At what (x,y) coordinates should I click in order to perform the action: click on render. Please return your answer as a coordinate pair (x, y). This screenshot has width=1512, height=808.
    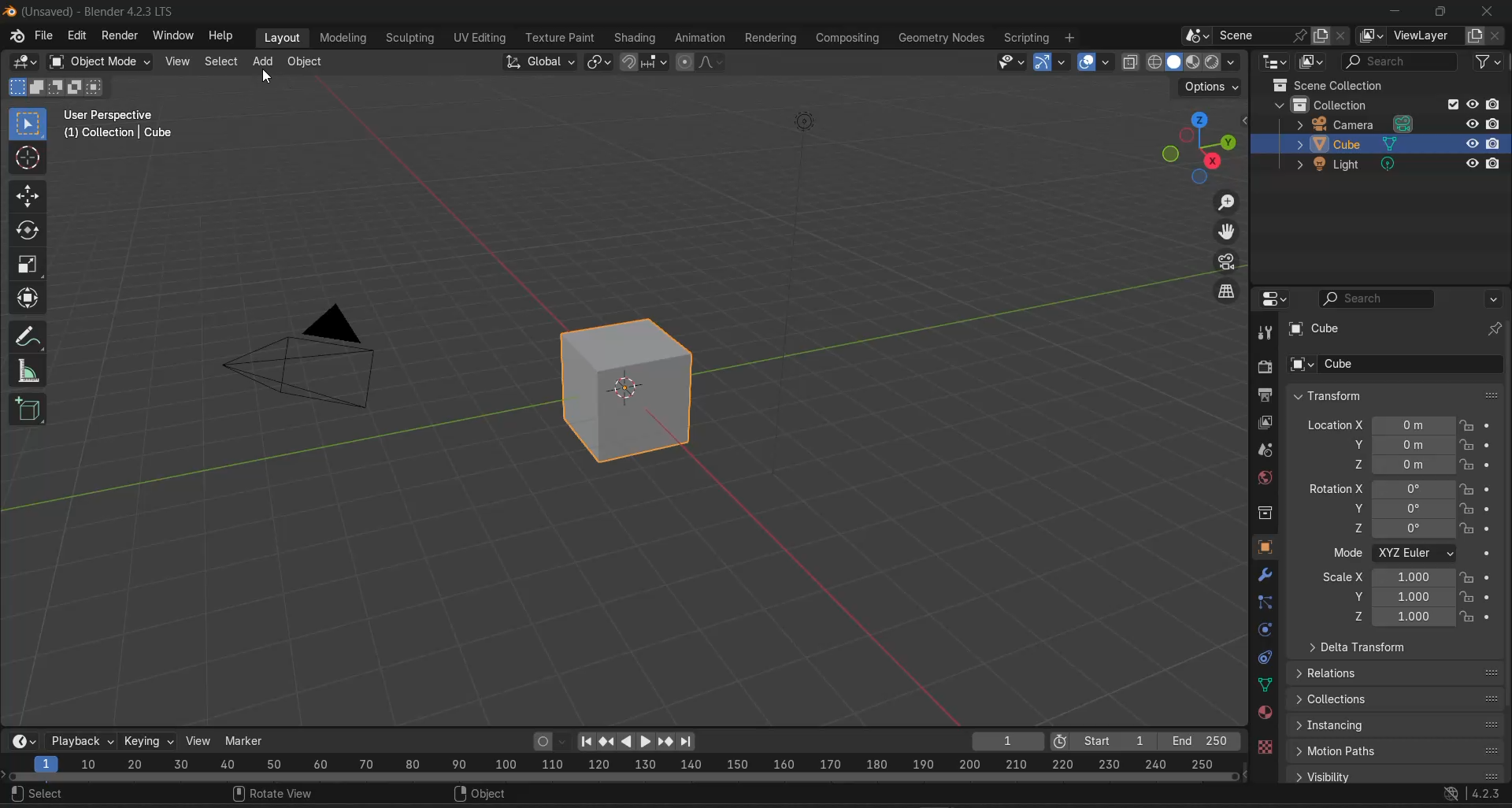
    Looking at the image, I should click on (1262, 366).